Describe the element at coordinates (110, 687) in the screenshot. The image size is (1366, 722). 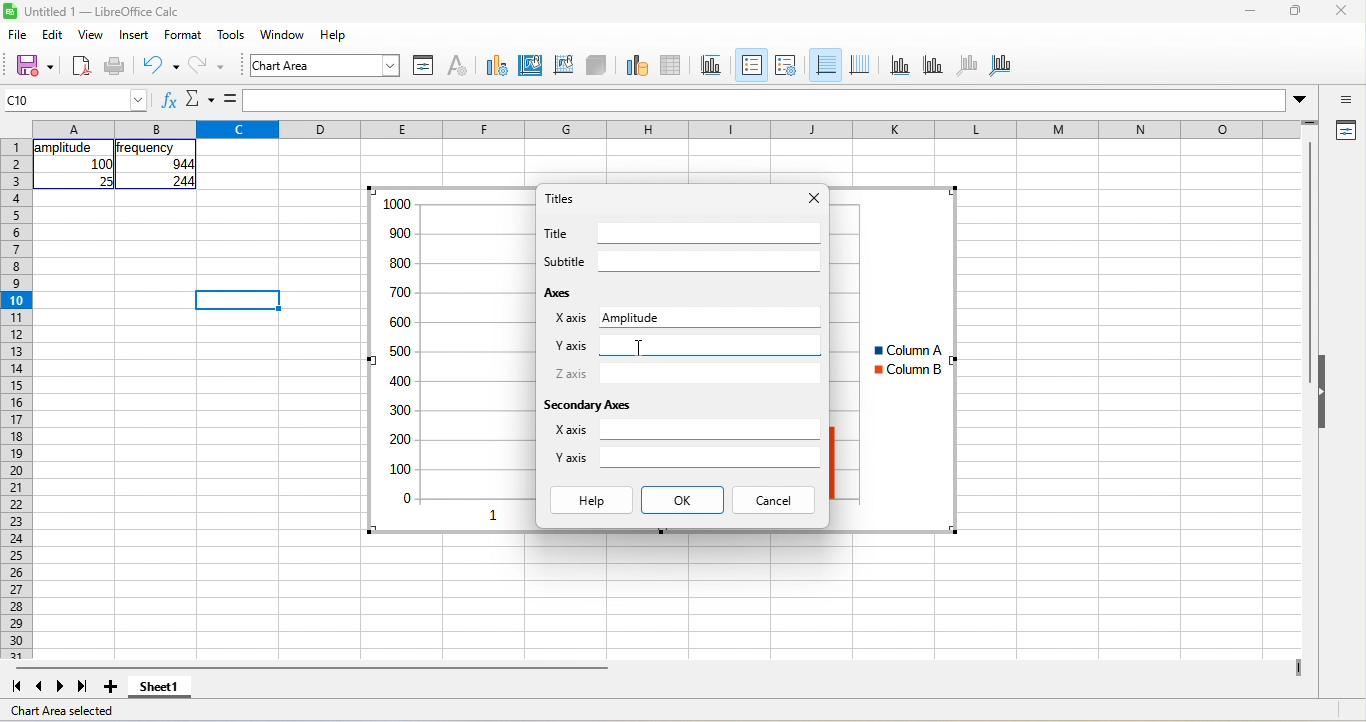
I see `add new sheet` at that location.